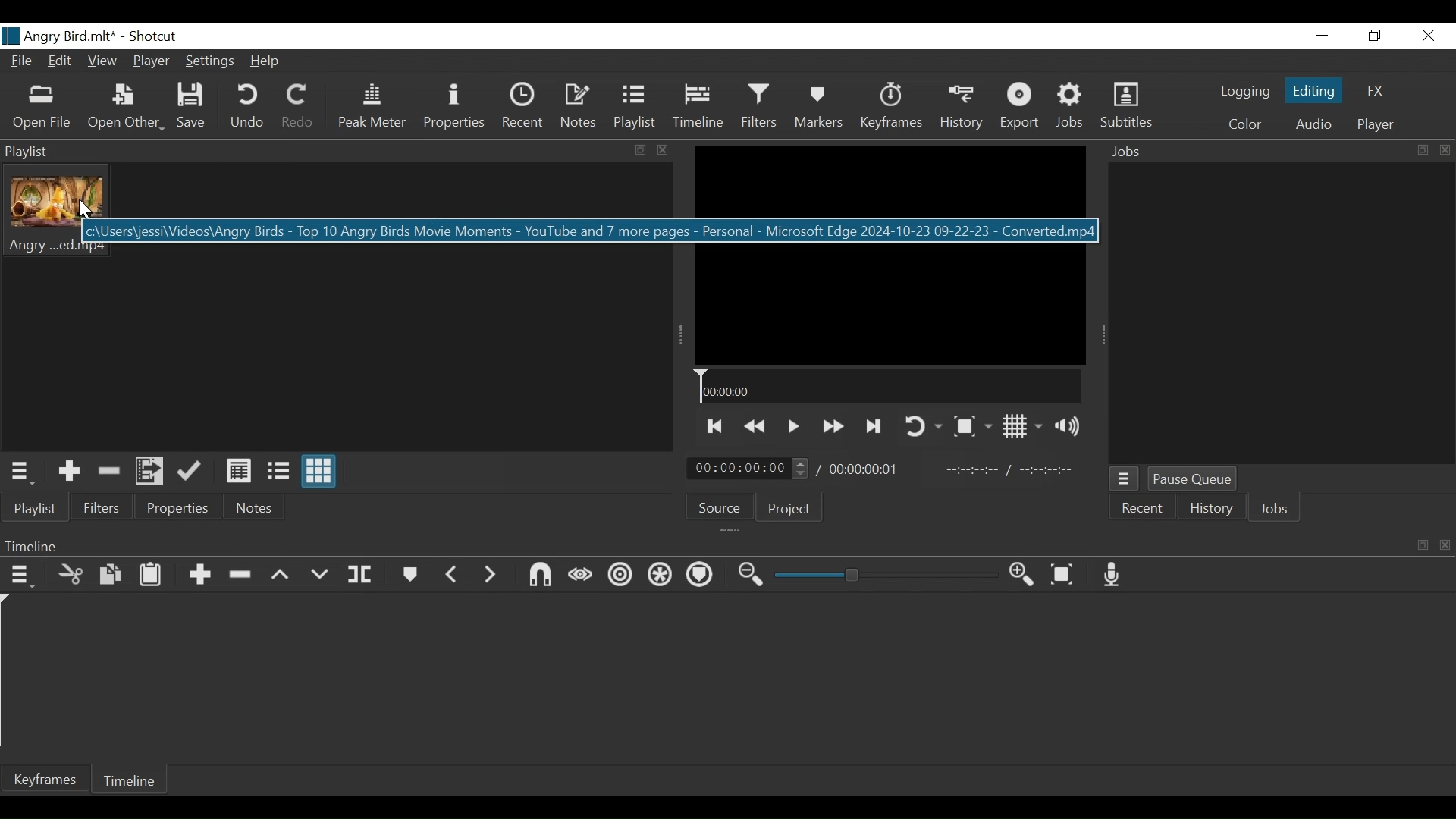 This screenshot has height=819, width=1456. What do you see at coordinates (639, 108) in the screenshot?
I see `Playlist` at bounding box center [639, 108].